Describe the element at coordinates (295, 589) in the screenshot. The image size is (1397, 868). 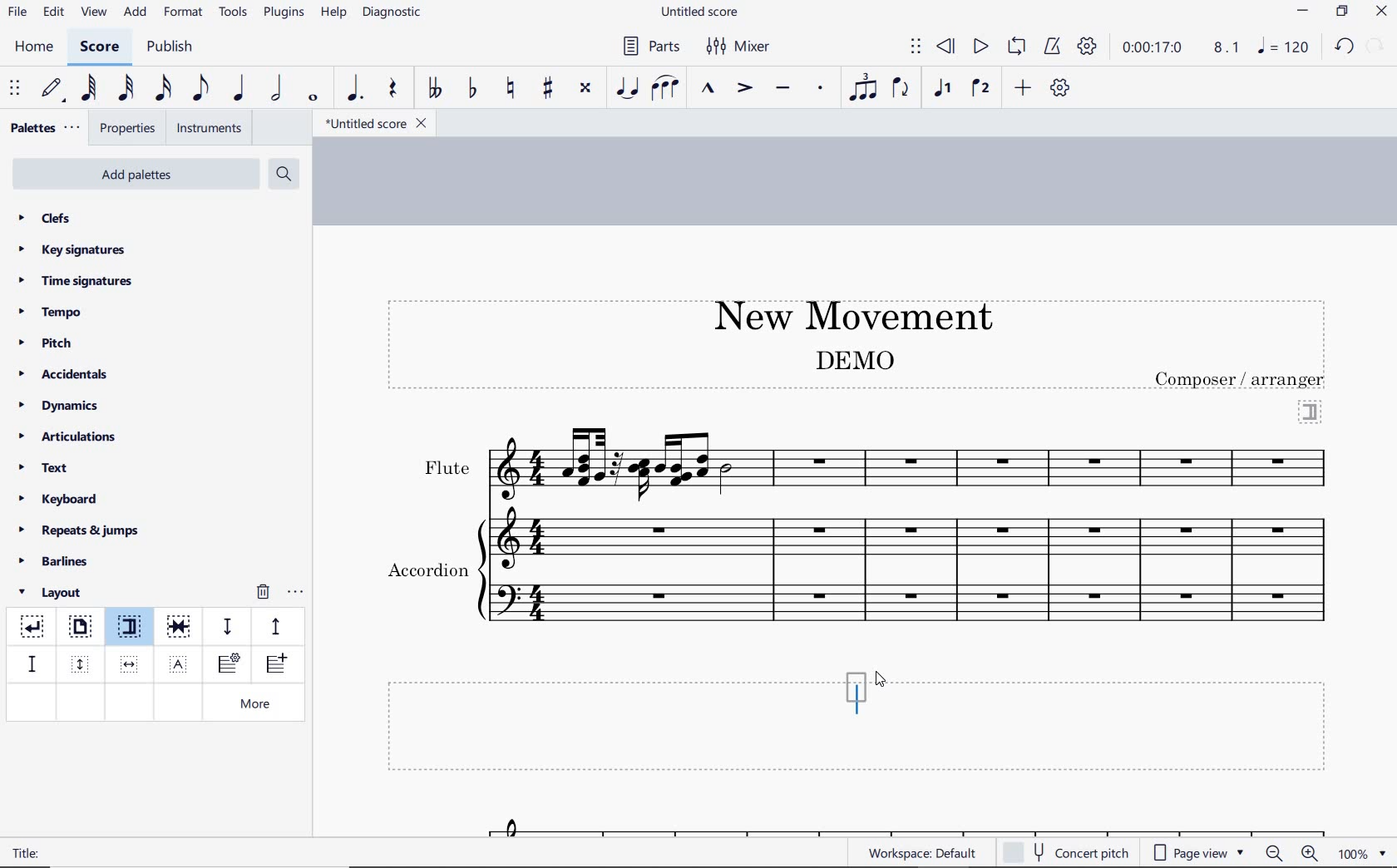
I see `options` at that location.